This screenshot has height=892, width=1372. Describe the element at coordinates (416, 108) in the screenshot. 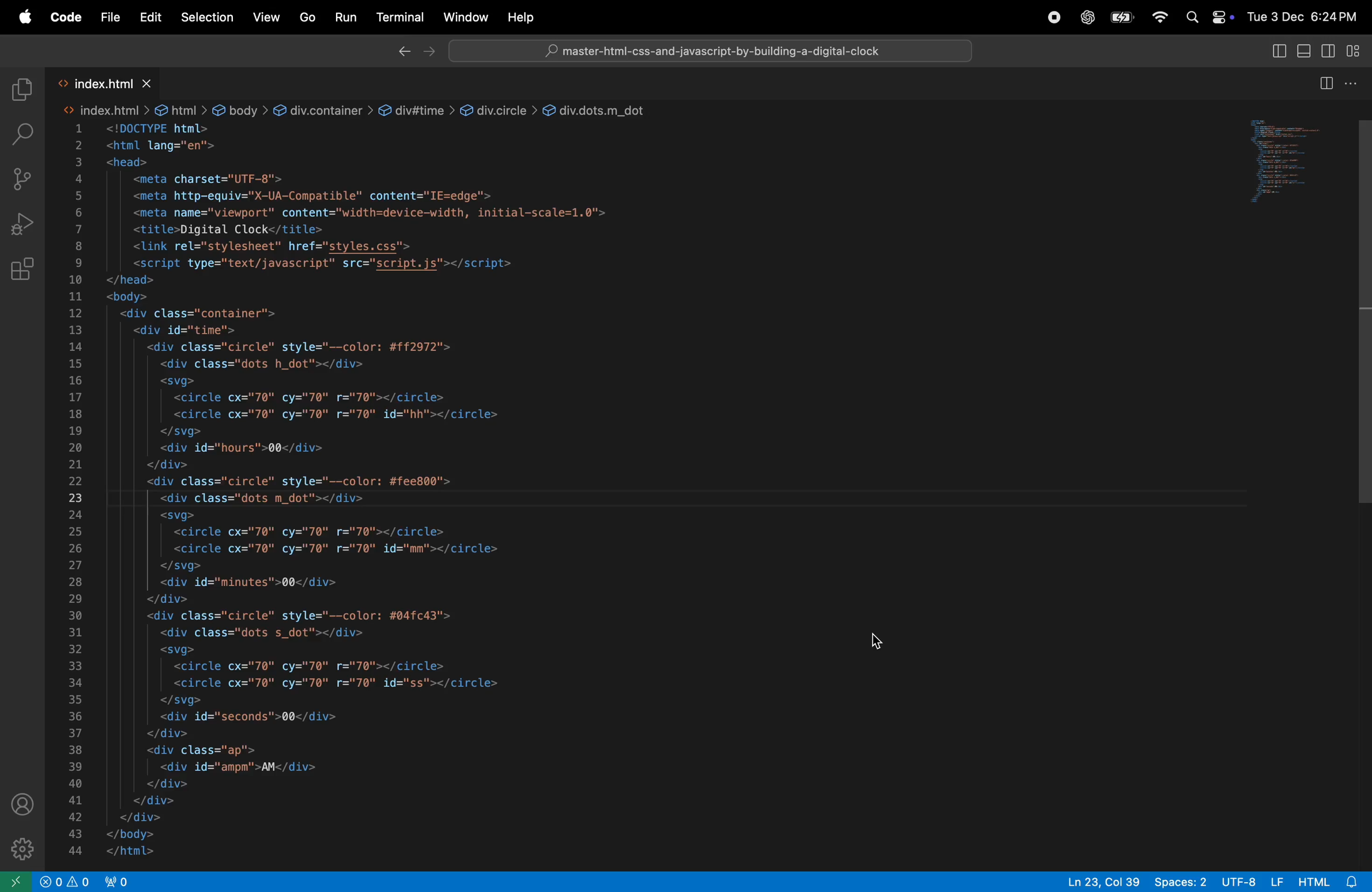

I see `div#time` at that location.